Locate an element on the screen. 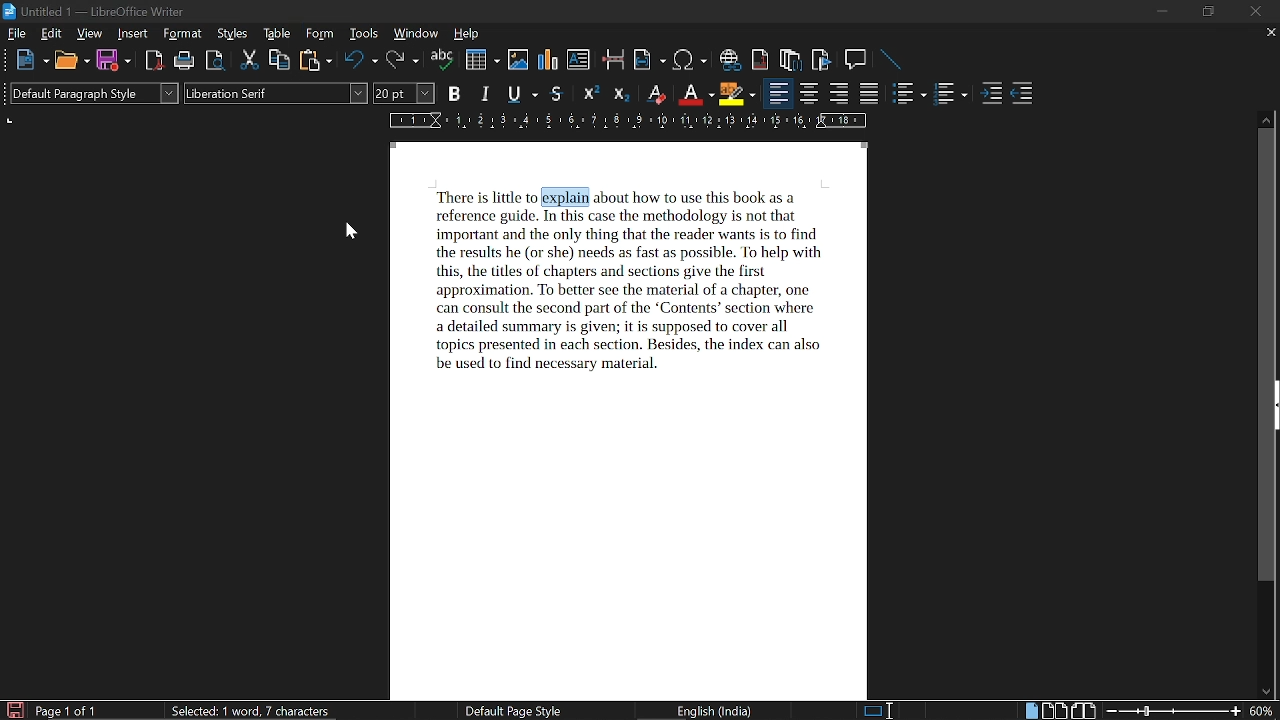  tools is located at coordinates (365, 34).